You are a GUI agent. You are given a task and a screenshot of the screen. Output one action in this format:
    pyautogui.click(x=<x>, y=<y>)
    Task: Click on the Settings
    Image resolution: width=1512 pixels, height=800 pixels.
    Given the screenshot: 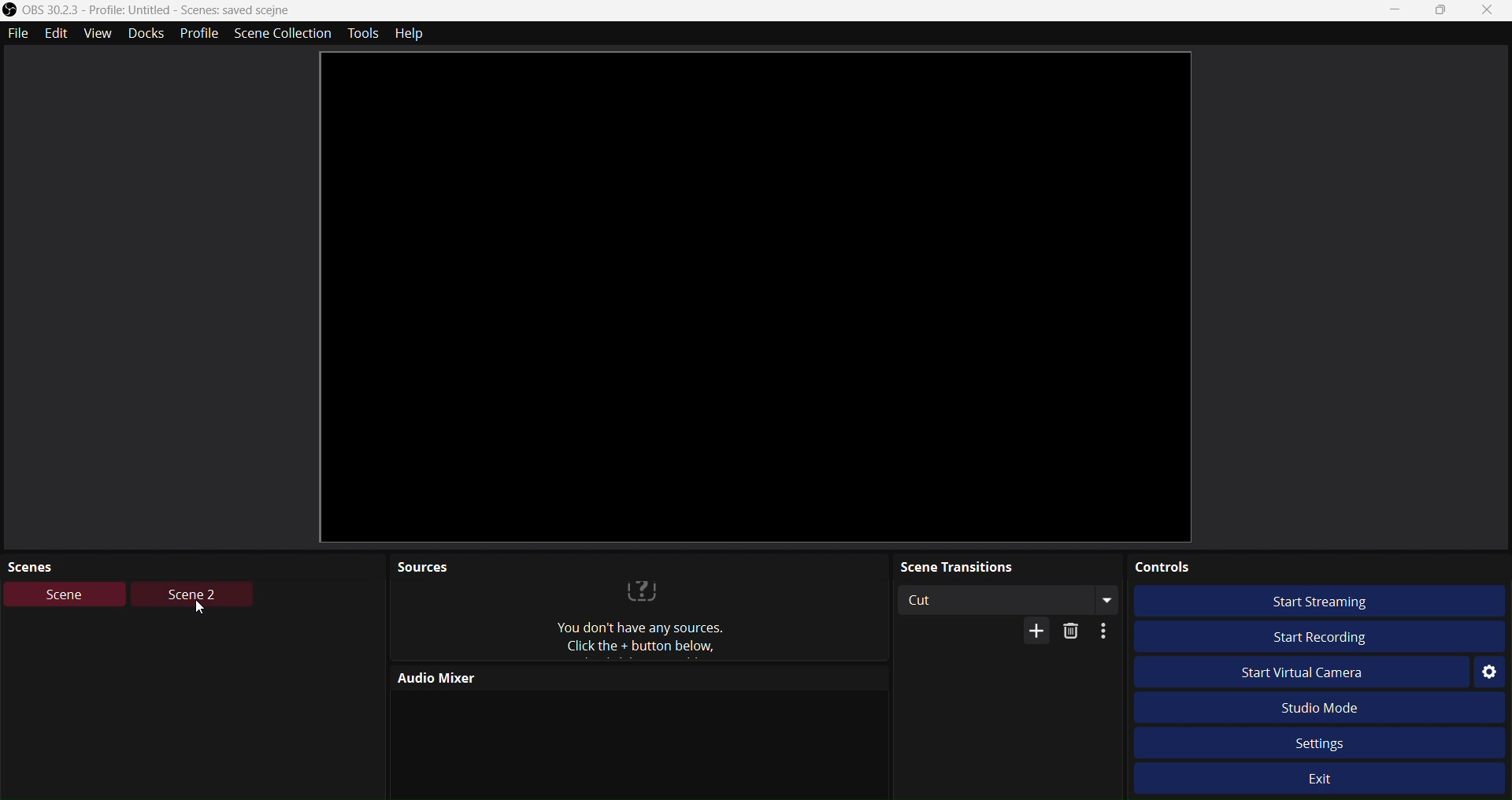 What is the action you would take?
    pyautogui.click(x=1319, y=743)
    